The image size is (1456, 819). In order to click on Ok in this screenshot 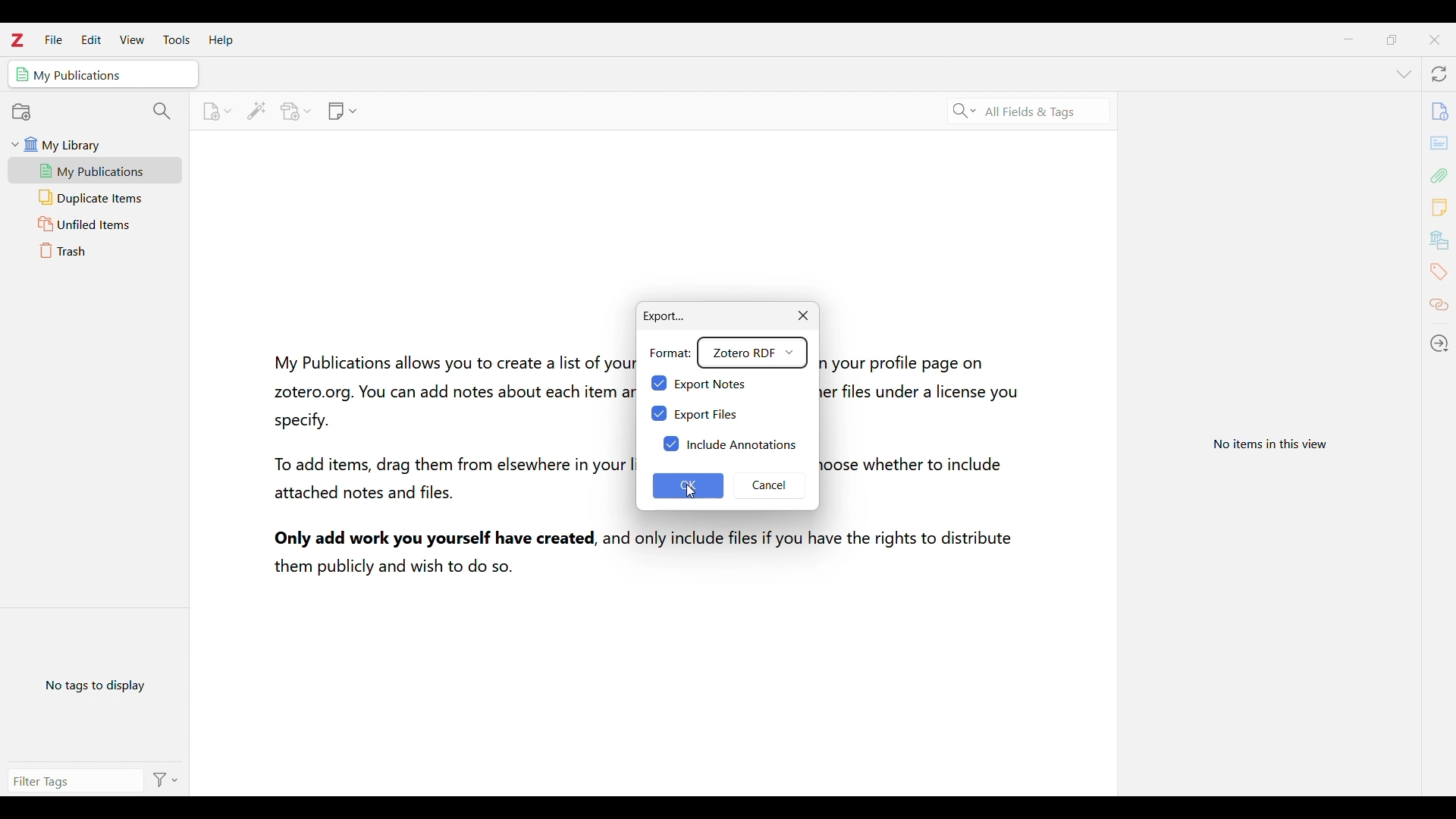, I will do `click(691, 485)`.